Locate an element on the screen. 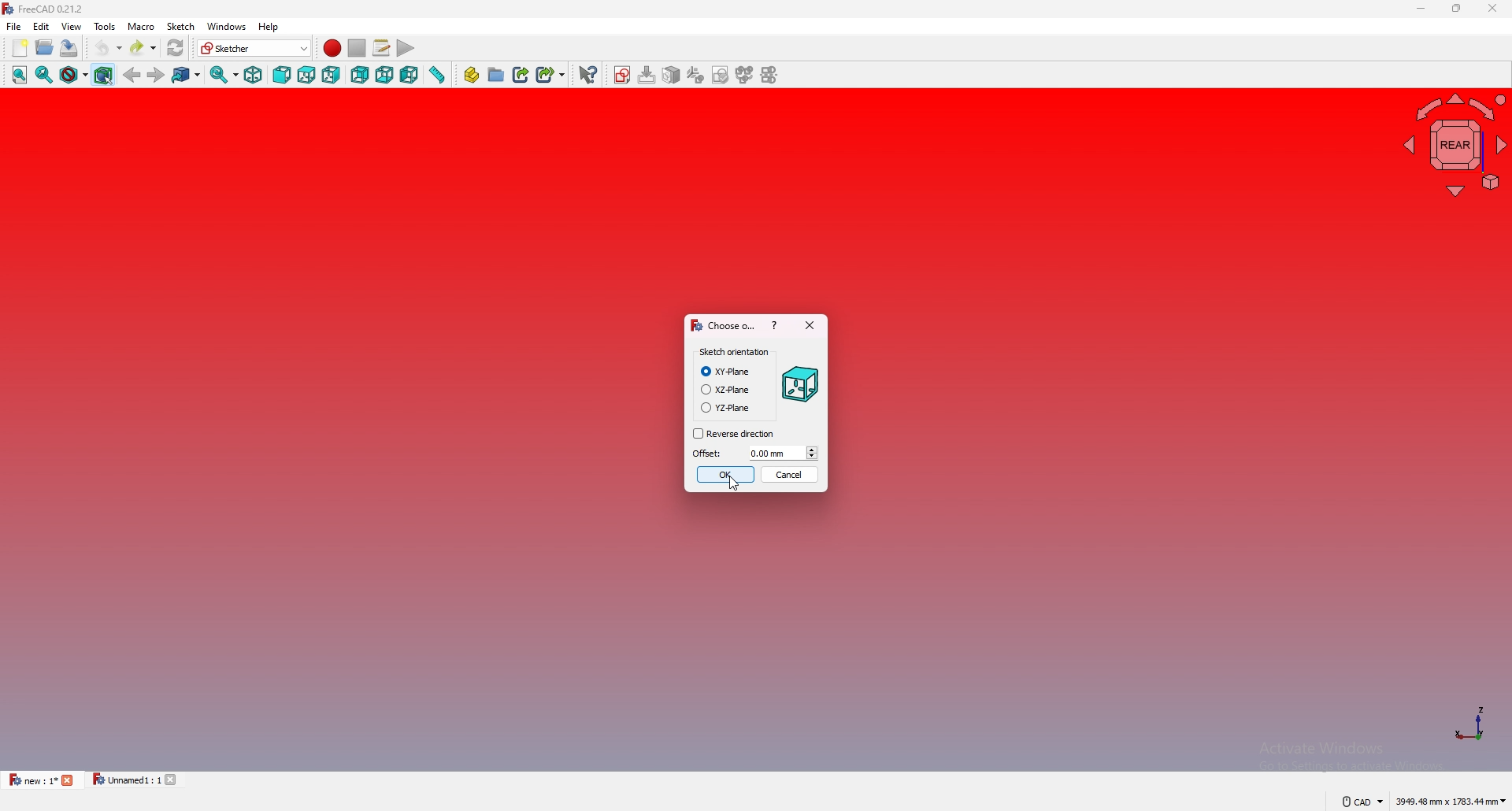 This screenshot has height=811, width=1512. sketch orientation is located at coordinates (731, 353).